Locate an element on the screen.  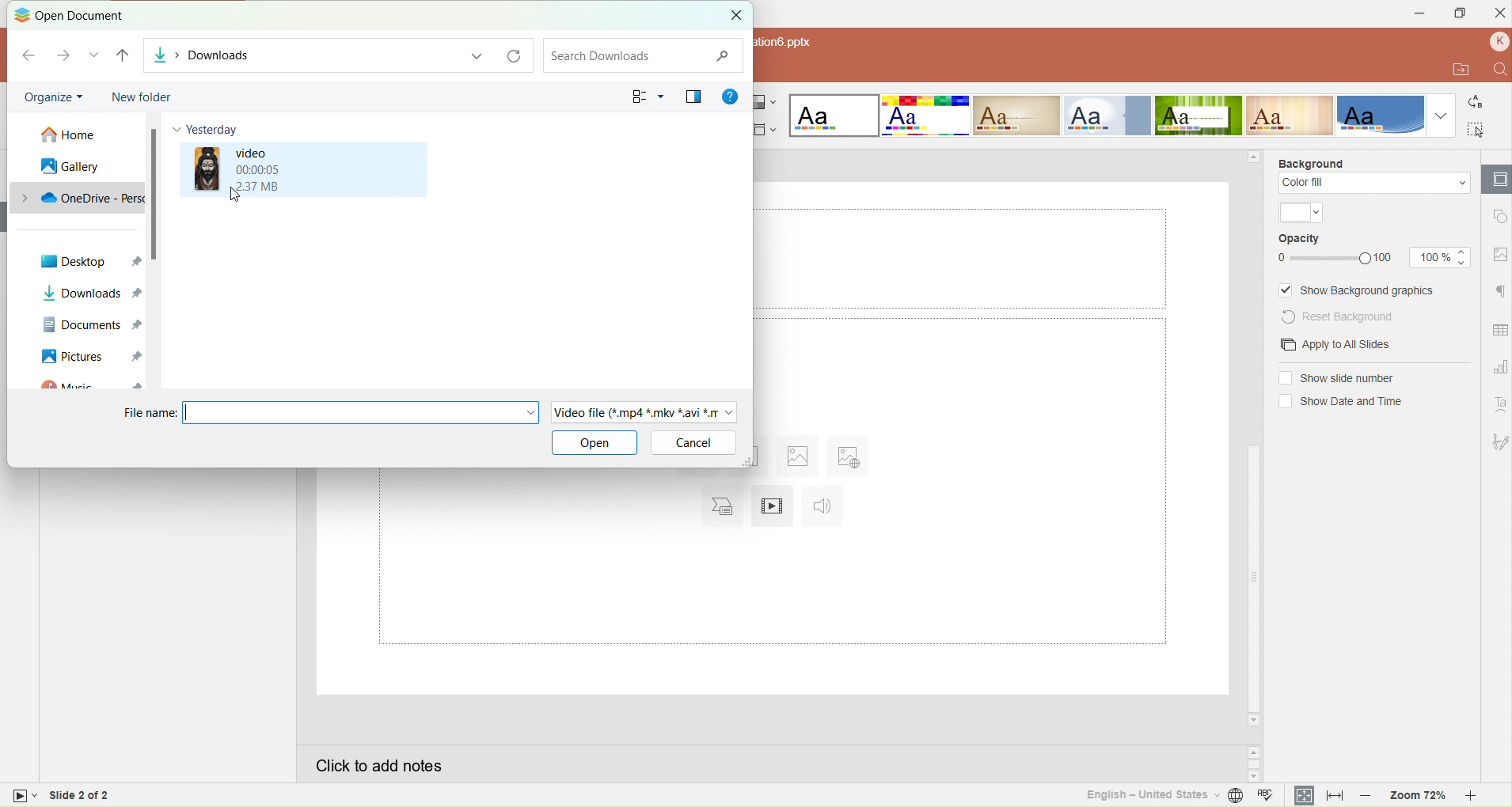
Chart setting is located at coordinates (1498, 363).